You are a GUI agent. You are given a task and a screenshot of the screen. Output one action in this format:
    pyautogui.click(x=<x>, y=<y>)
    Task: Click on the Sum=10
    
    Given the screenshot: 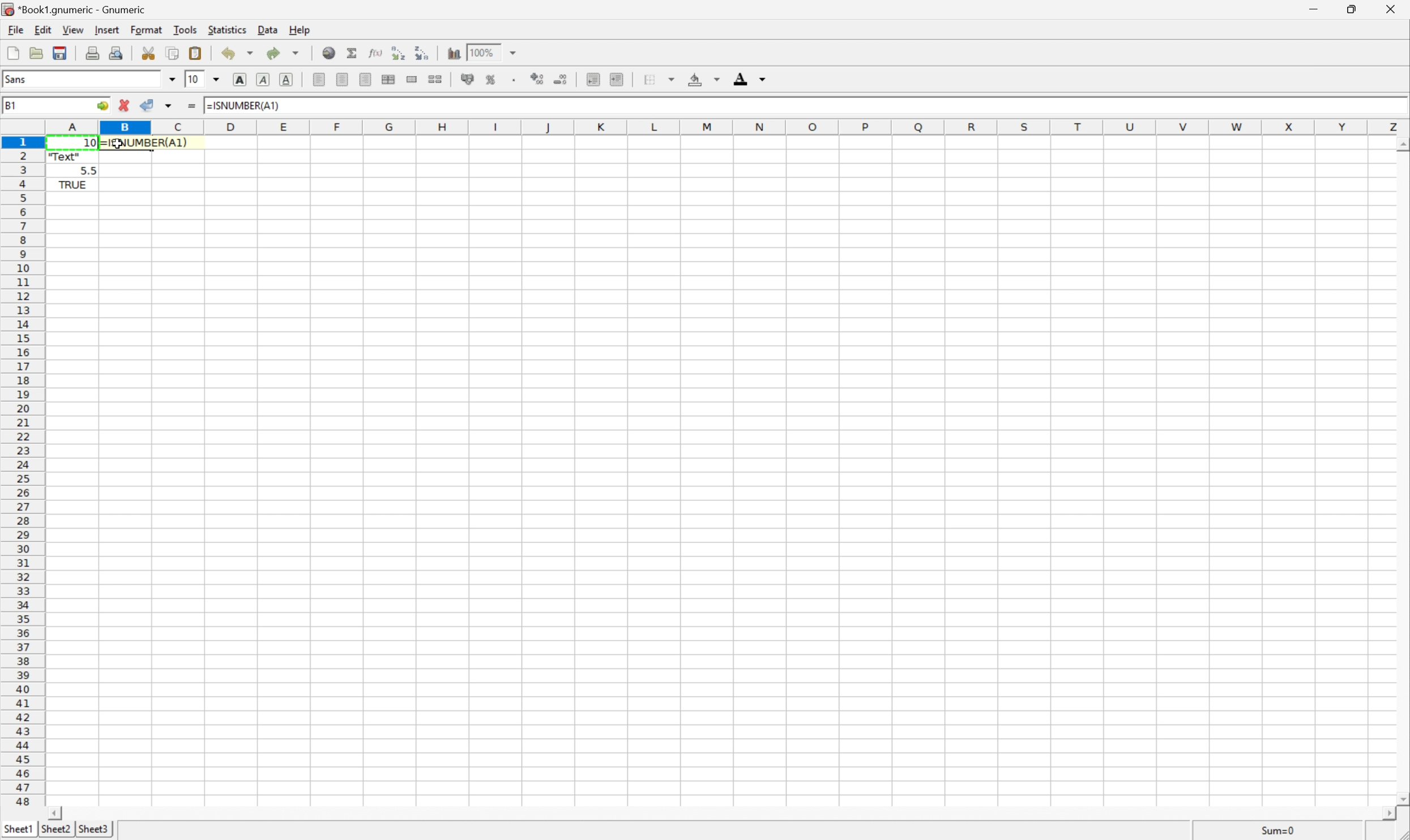 What is the action you would take?
    pyautogui.click(x=1279, y=829)
    